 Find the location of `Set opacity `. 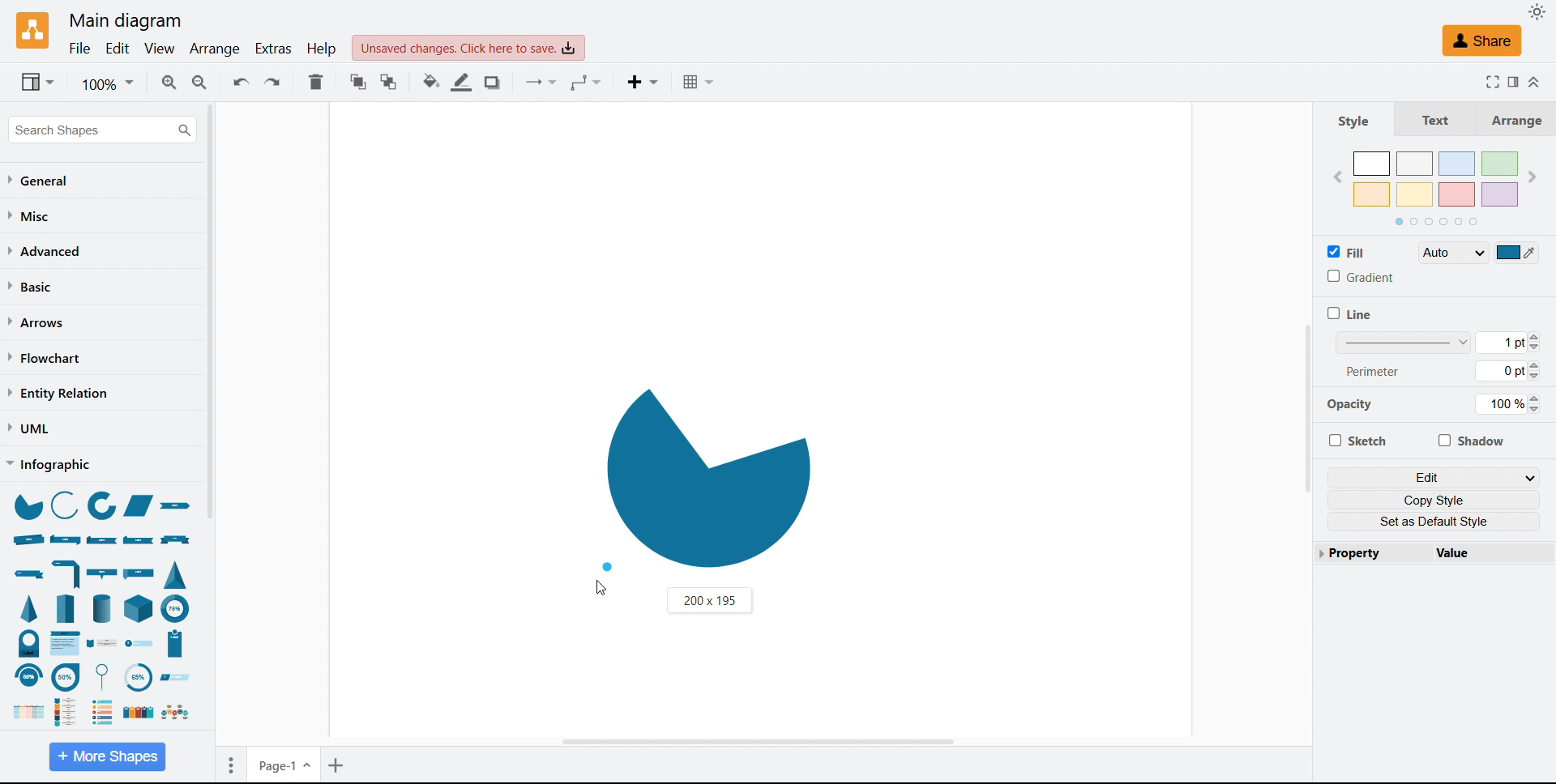

Set opacity  is located at coordinates (1507, 404).